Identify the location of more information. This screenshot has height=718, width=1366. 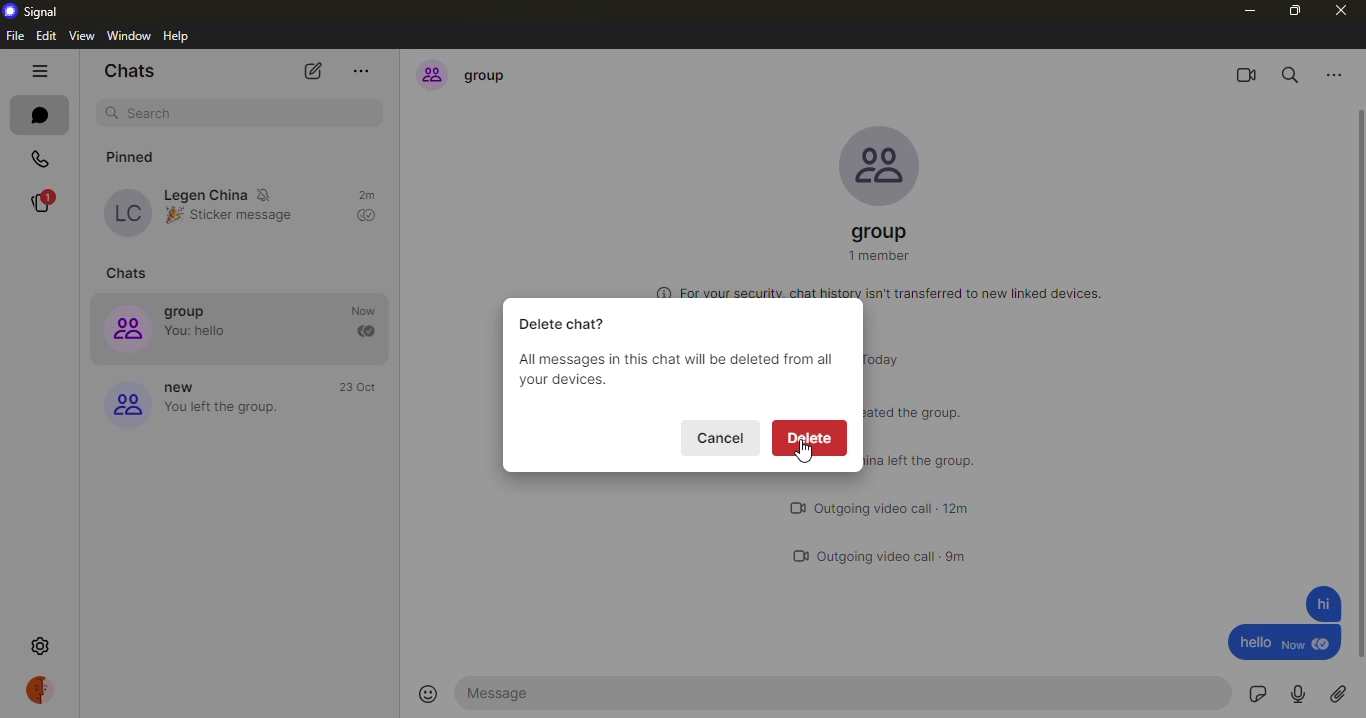
(661, 290).